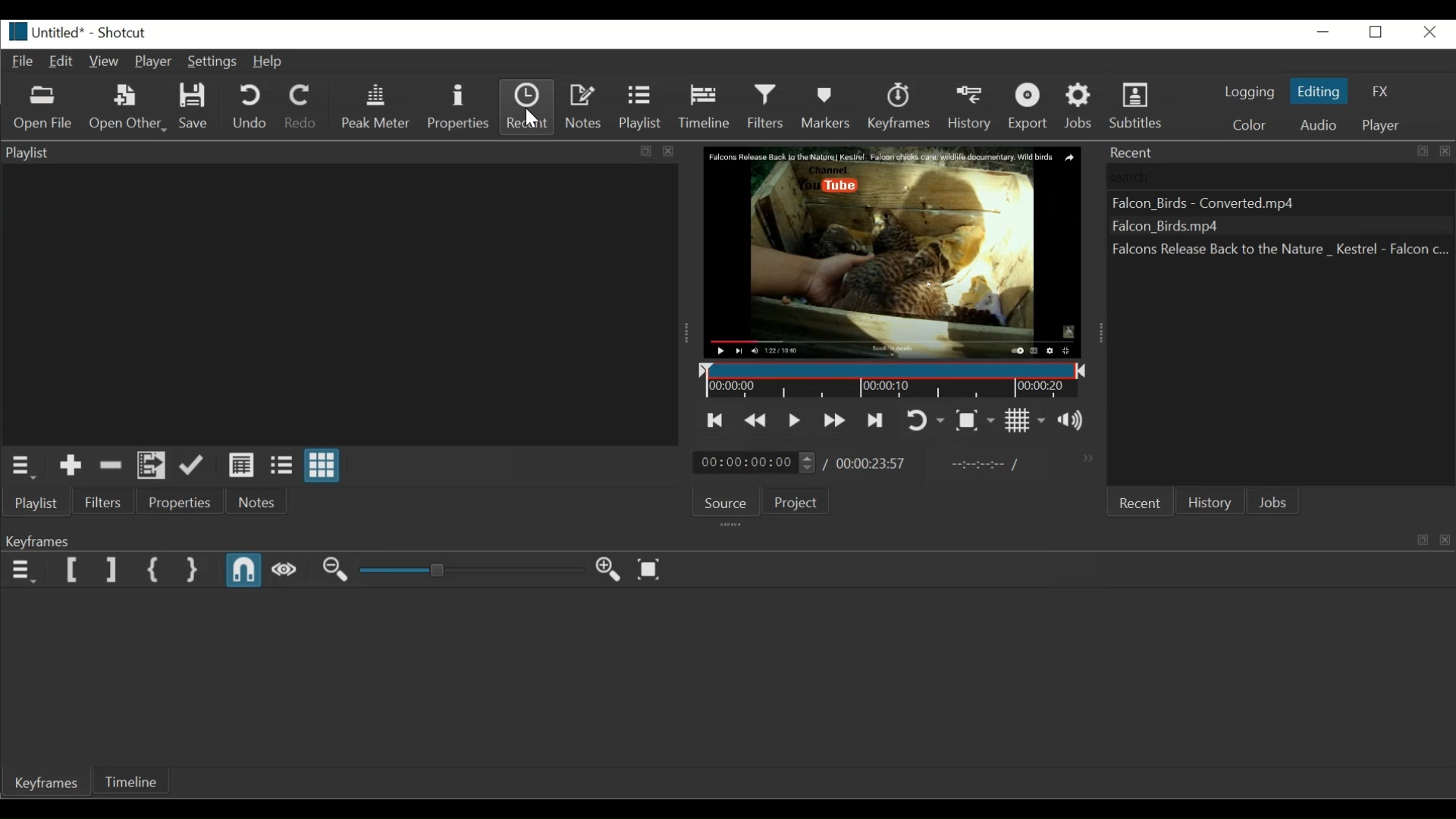  I want to click on Close, so click(1431, 29).